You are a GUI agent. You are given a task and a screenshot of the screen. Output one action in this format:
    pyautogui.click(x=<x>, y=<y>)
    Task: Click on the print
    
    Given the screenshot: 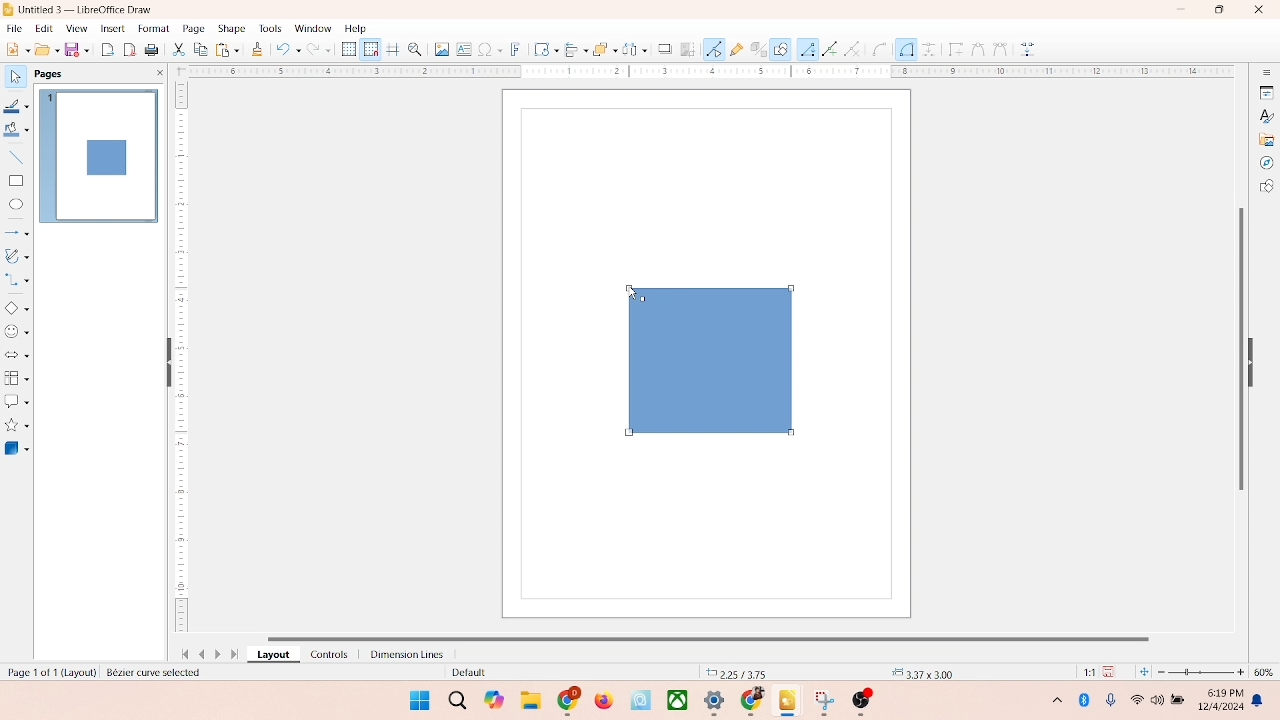 What is the action you would take?
    pyautogui.click(x=154, y=51)
    